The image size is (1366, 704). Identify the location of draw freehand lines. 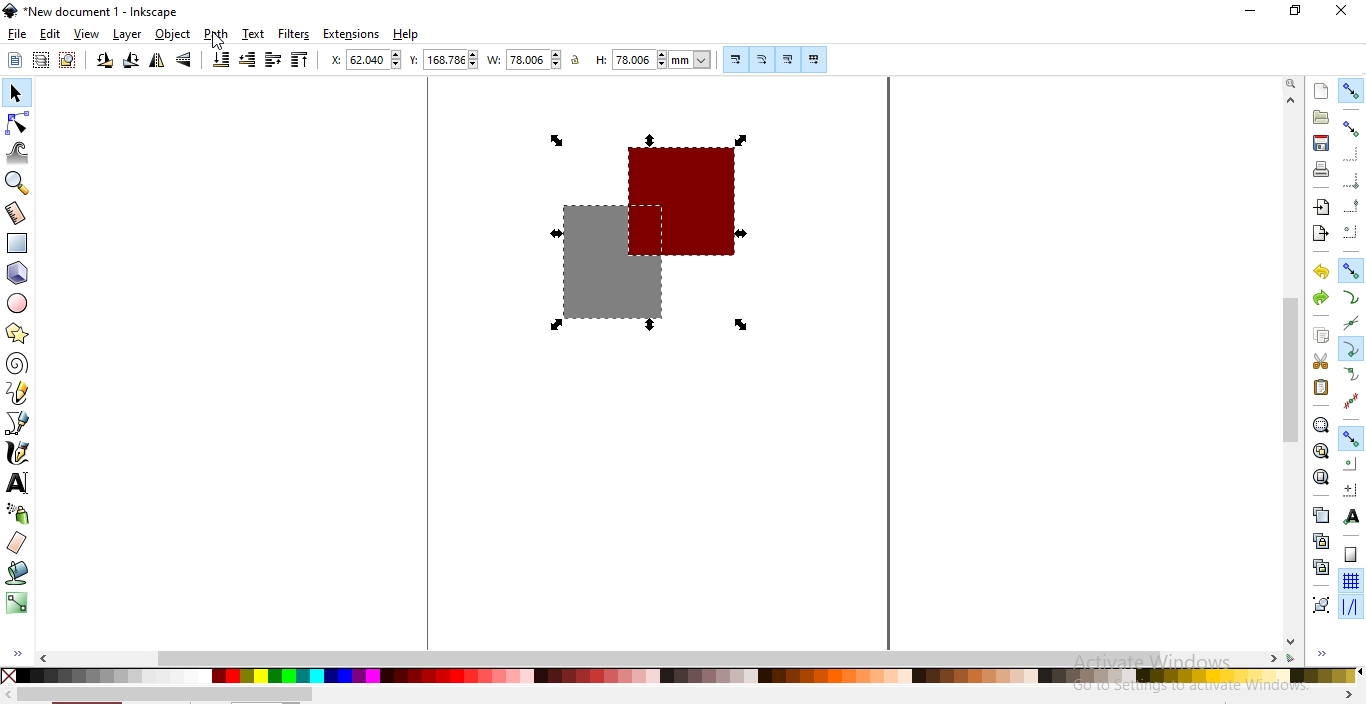
(18, 392).